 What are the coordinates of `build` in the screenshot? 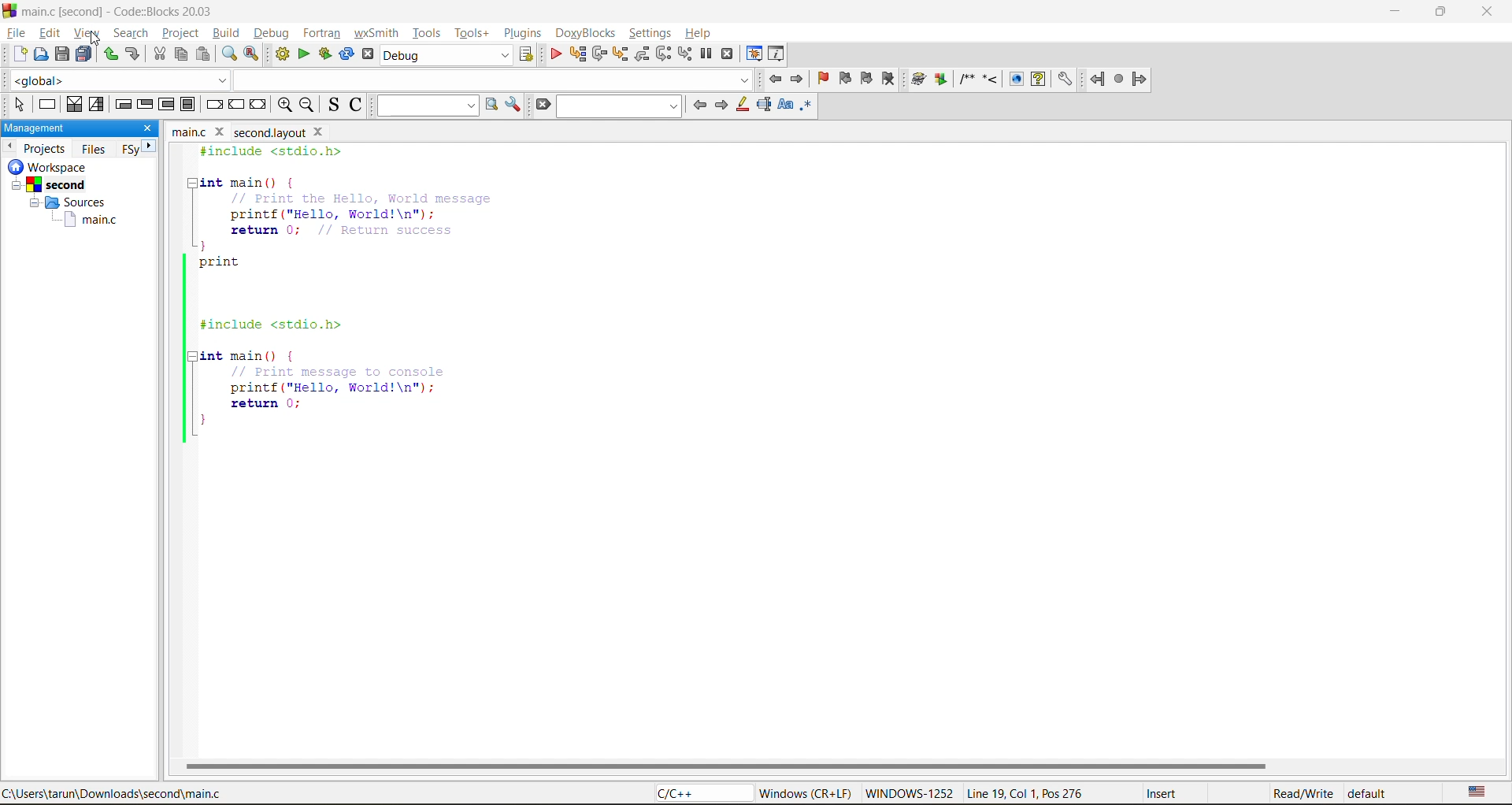 It's located at (226, 35).